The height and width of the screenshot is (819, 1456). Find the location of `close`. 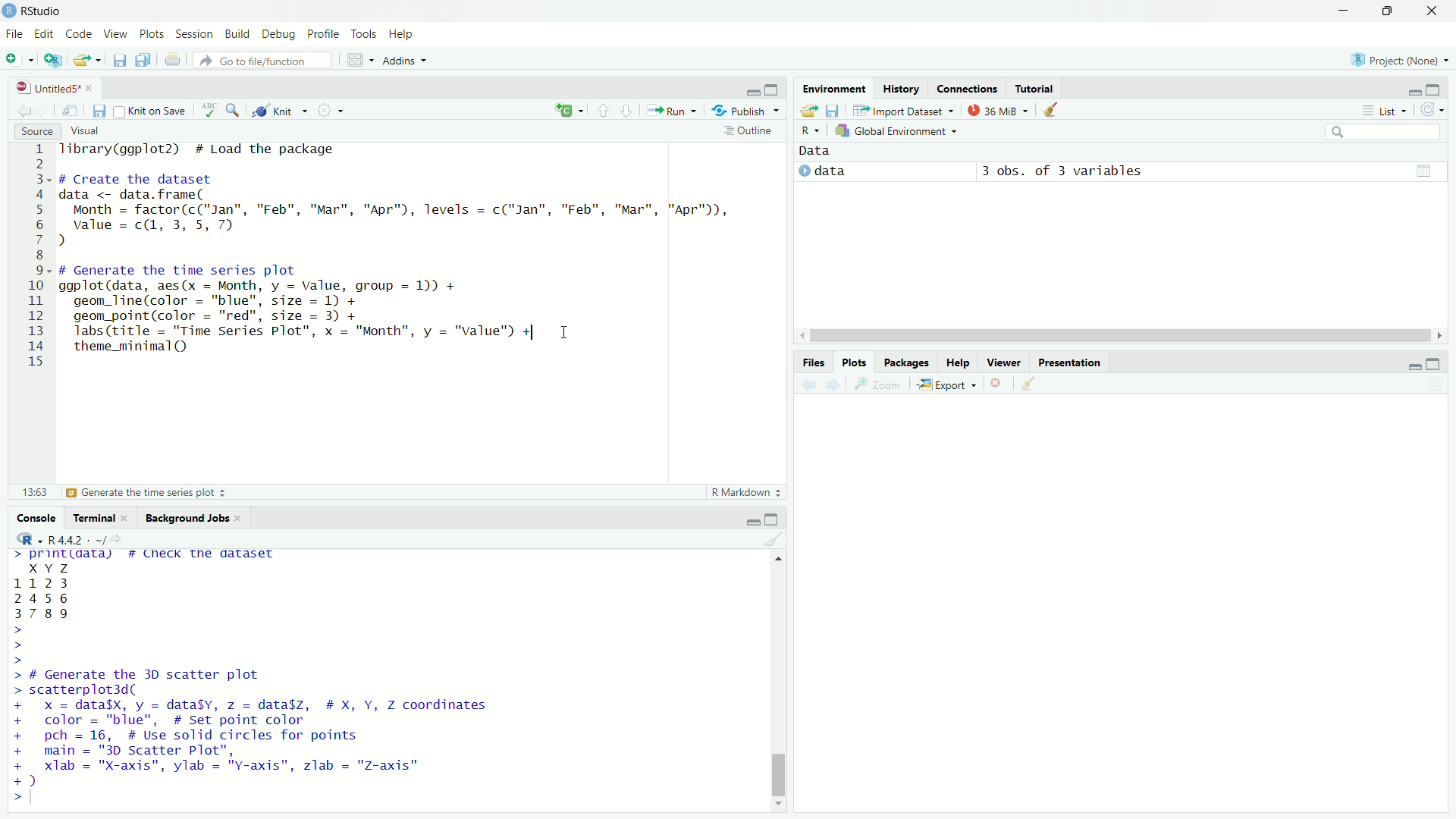

close is located at coordinates (90, 86).